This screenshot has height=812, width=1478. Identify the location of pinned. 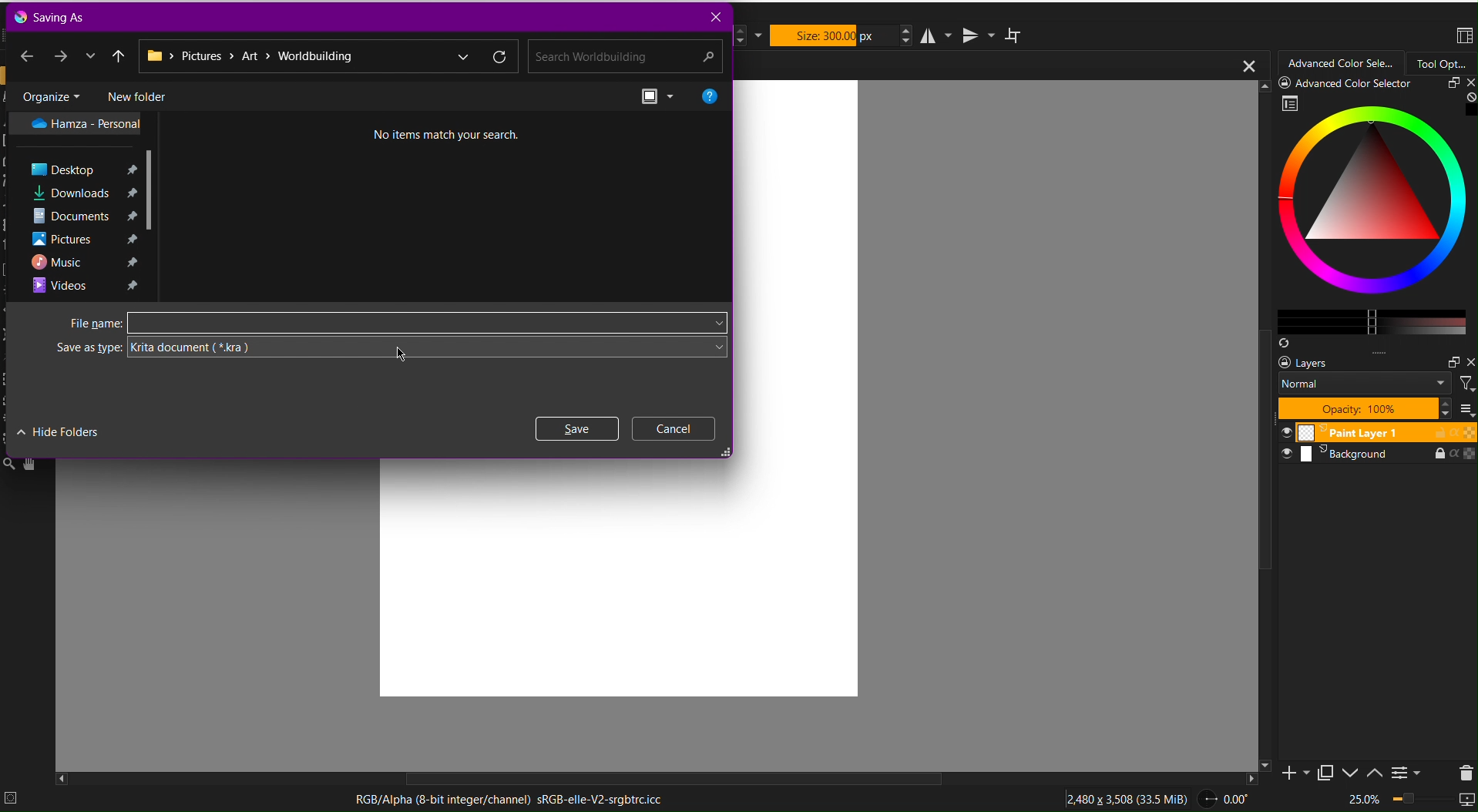
(128, 191).